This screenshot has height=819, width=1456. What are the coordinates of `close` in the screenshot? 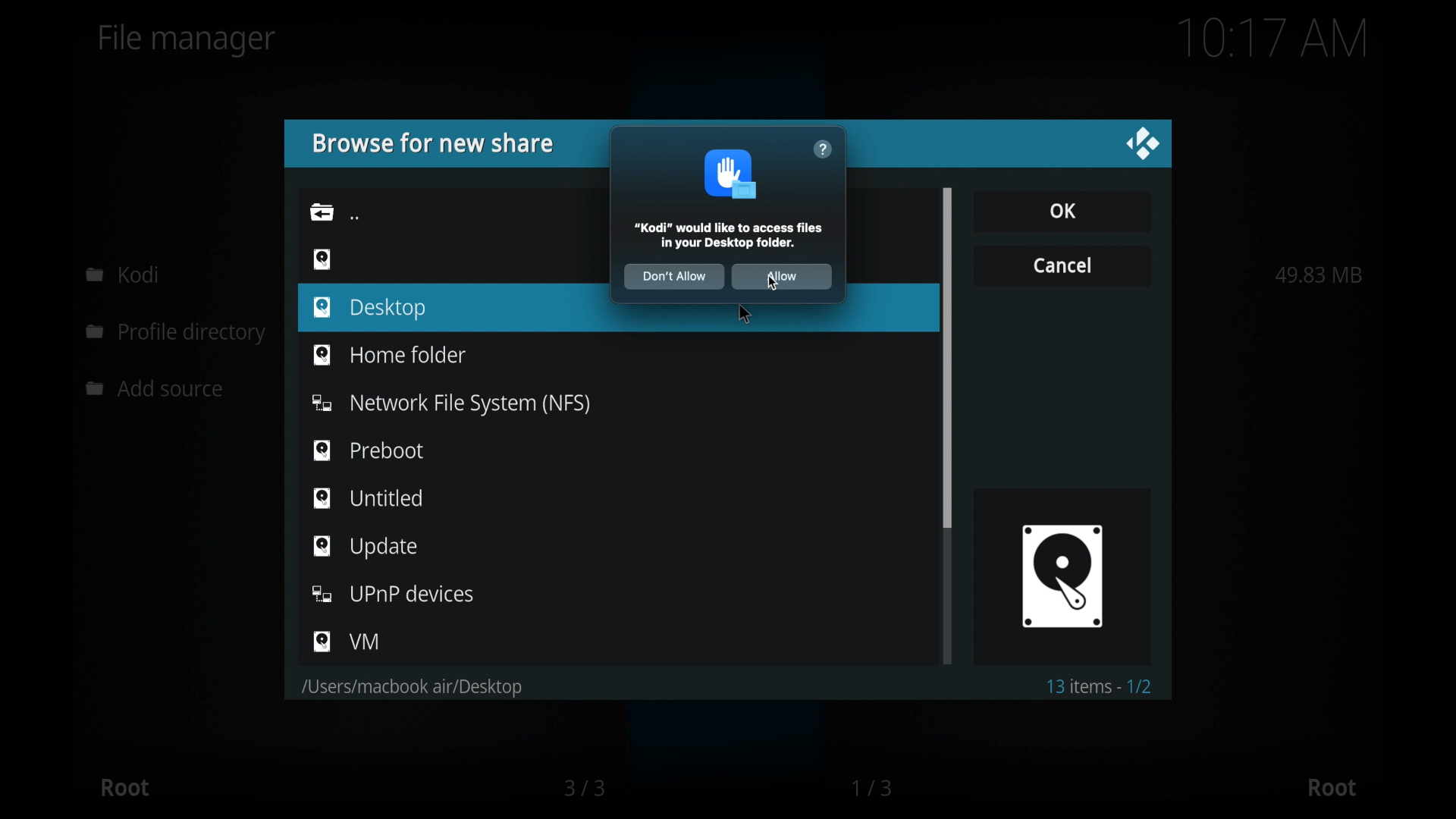 It's located at (1142, 144).